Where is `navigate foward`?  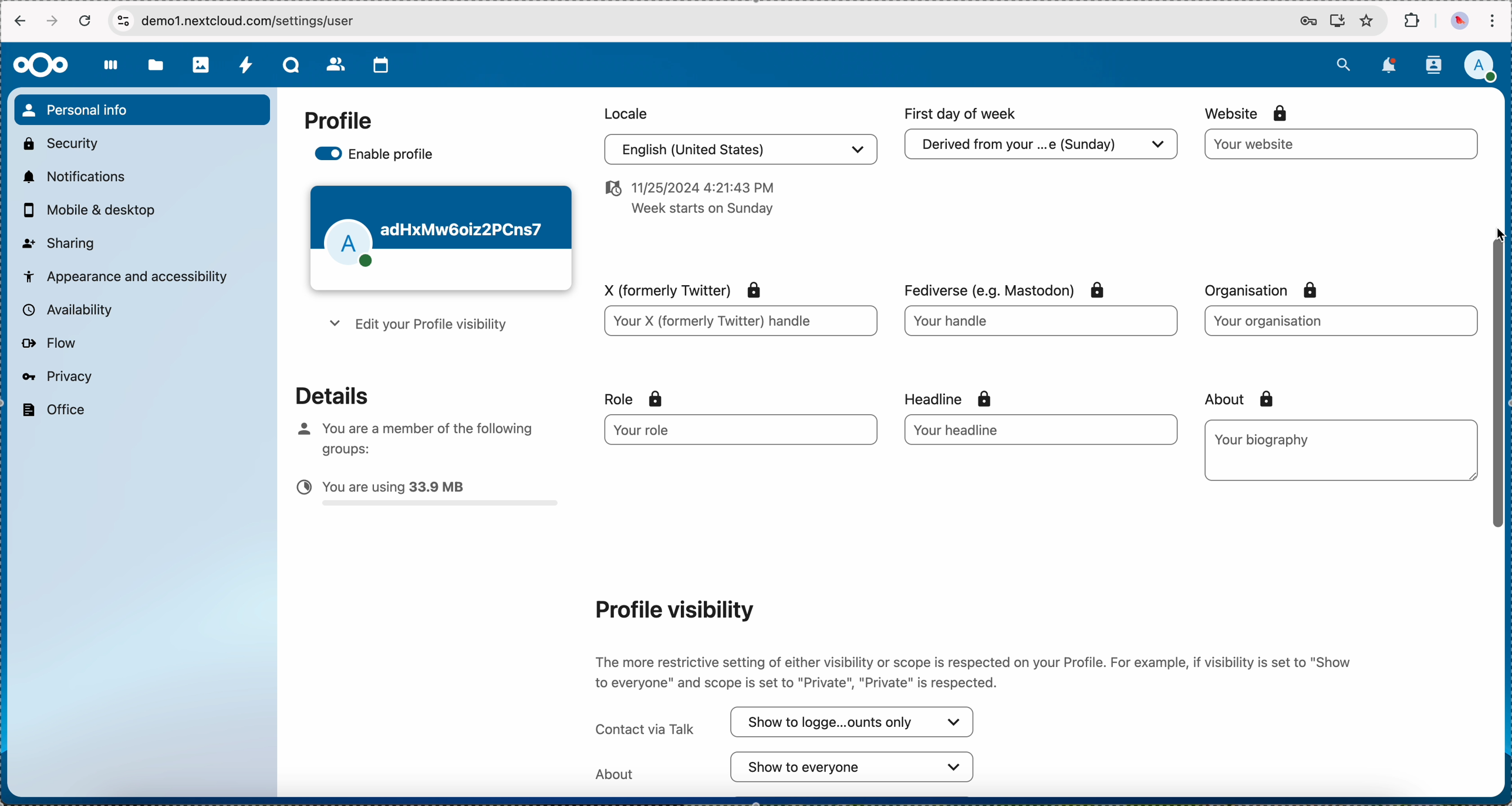
navigate foward is located at coordinates (54, 21).